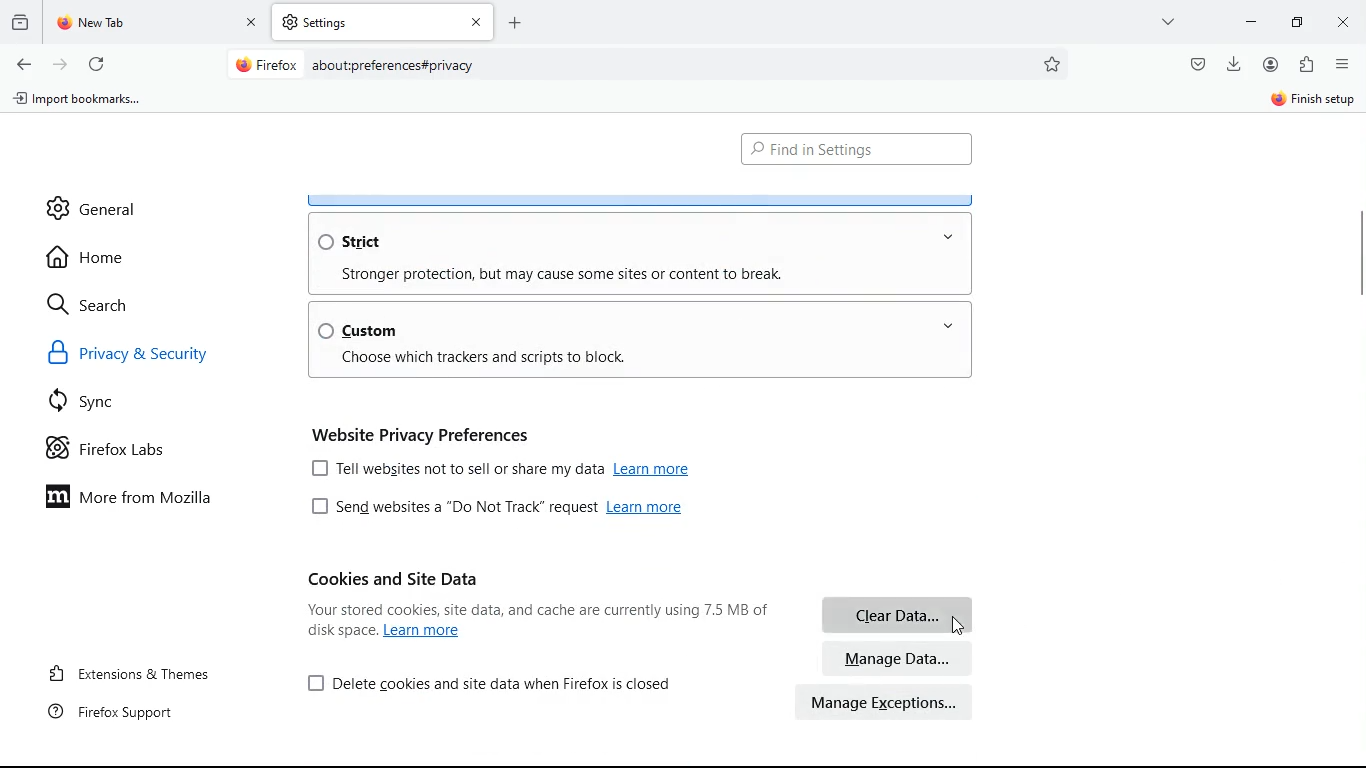 Image resolution: width=1366 pixels, height=768 pixels. I want to click on cookies and site data, so click(394, 578).